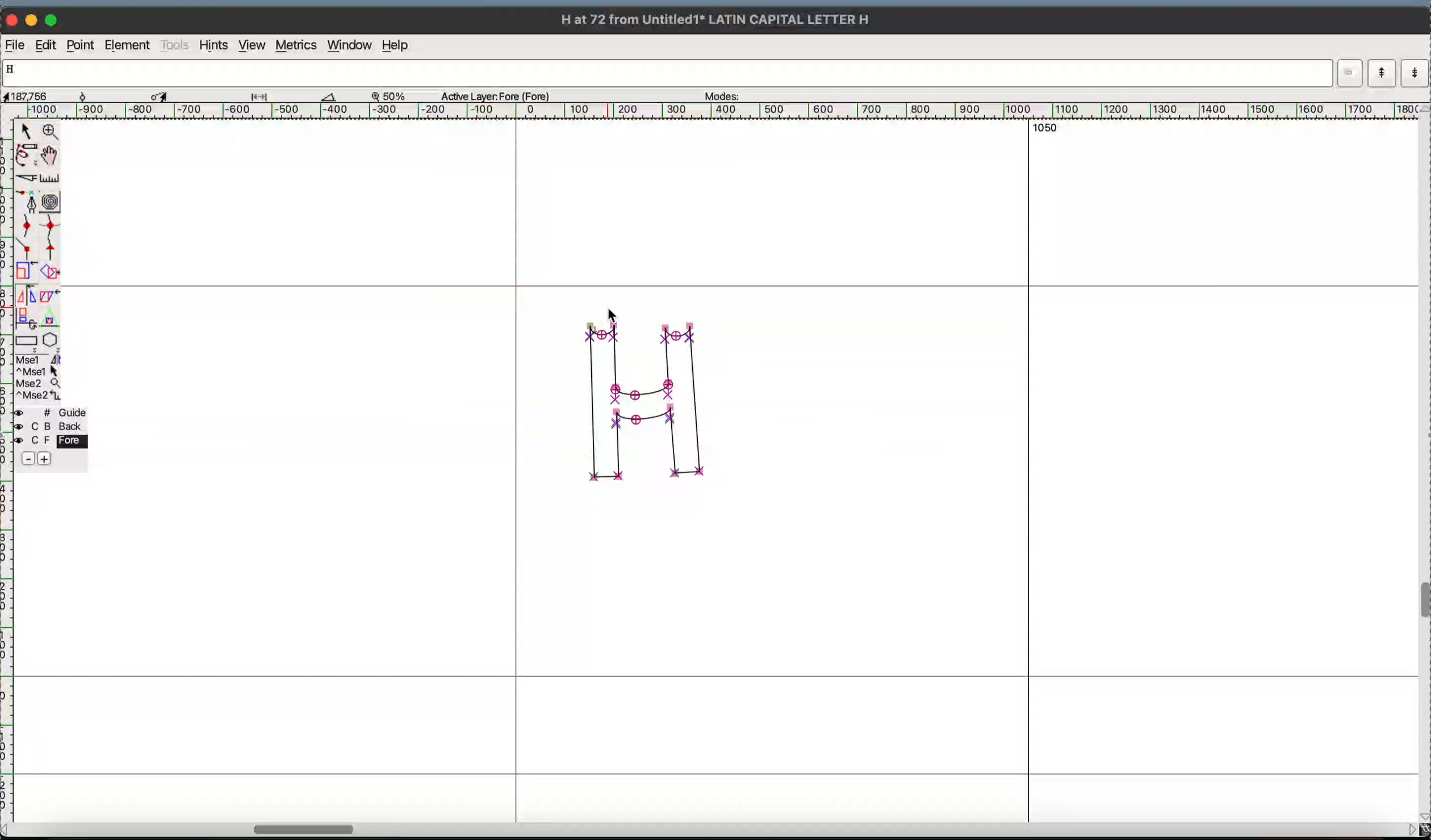 The image size is (1431, 840). Describe the element at coordinates (648, 407) in the screenshot. I see `glyph "H"` at that location.